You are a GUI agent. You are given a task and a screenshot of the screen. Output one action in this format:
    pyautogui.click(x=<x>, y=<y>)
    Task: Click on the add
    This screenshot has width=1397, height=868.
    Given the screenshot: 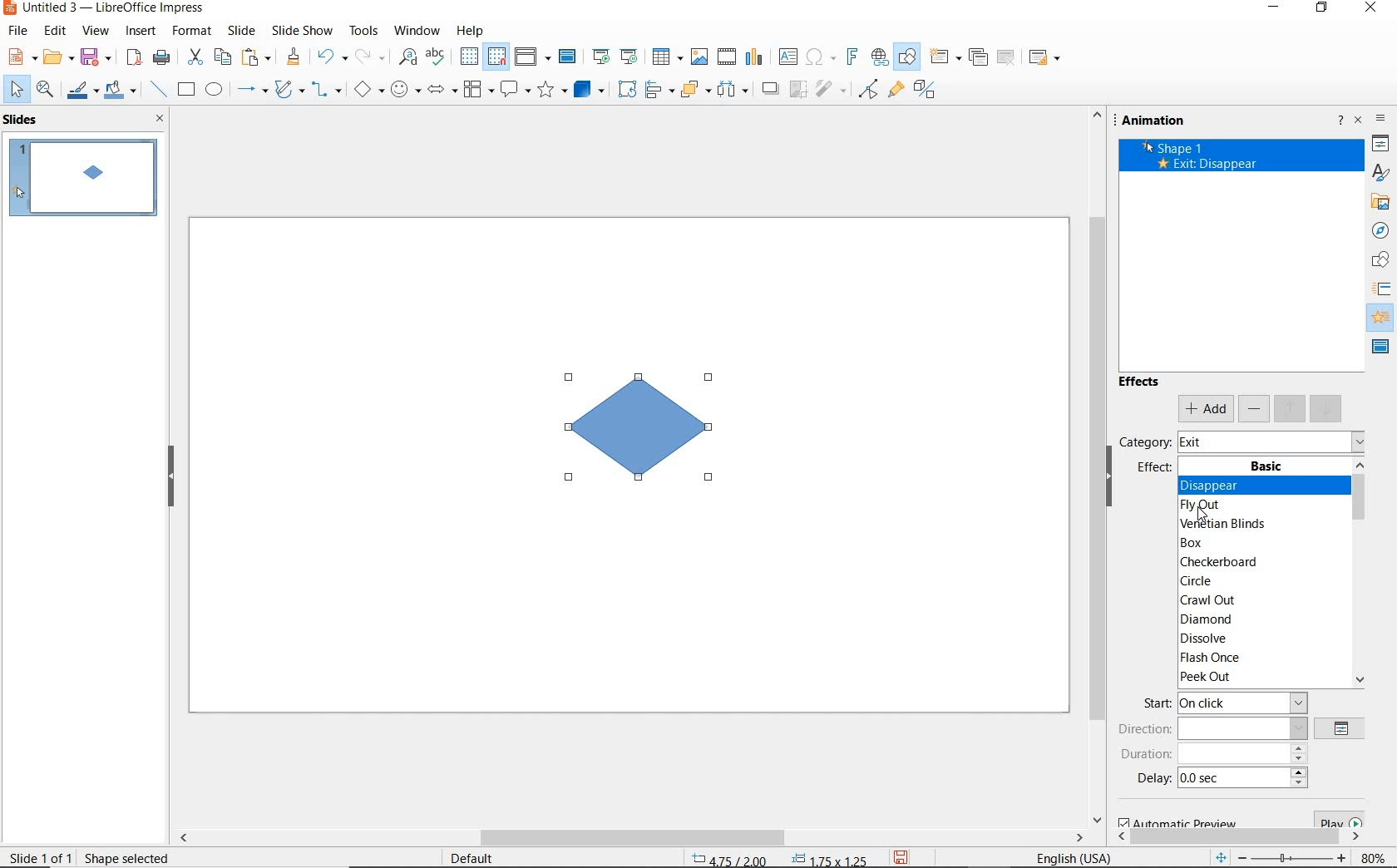 What is the action you would take?
    pyautogui.click(x=1206, y=409)
    